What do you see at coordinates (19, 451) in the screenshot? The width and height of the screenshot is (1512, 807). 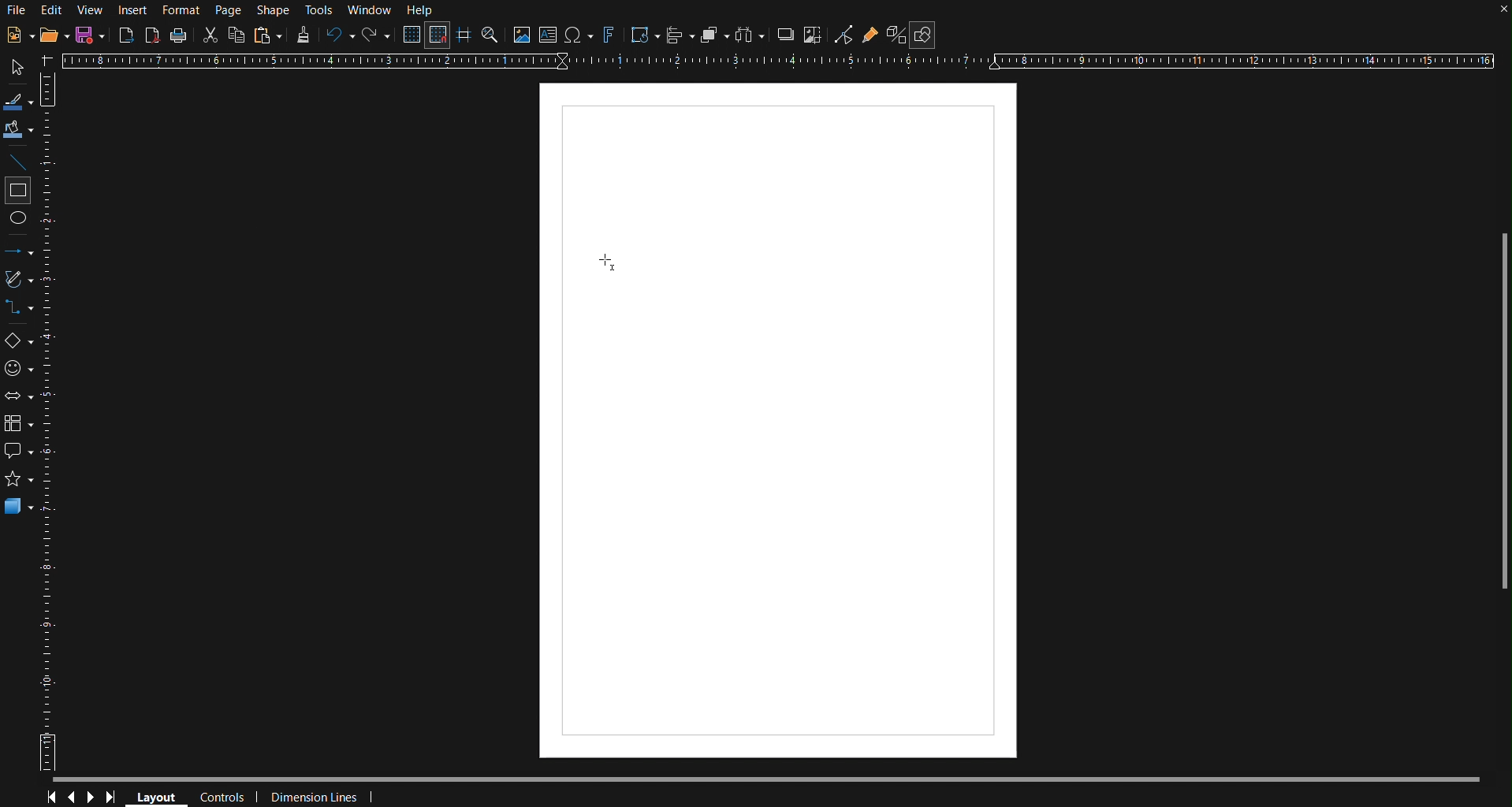 I see `Callout Shapes` at bounding box center [19, 451].